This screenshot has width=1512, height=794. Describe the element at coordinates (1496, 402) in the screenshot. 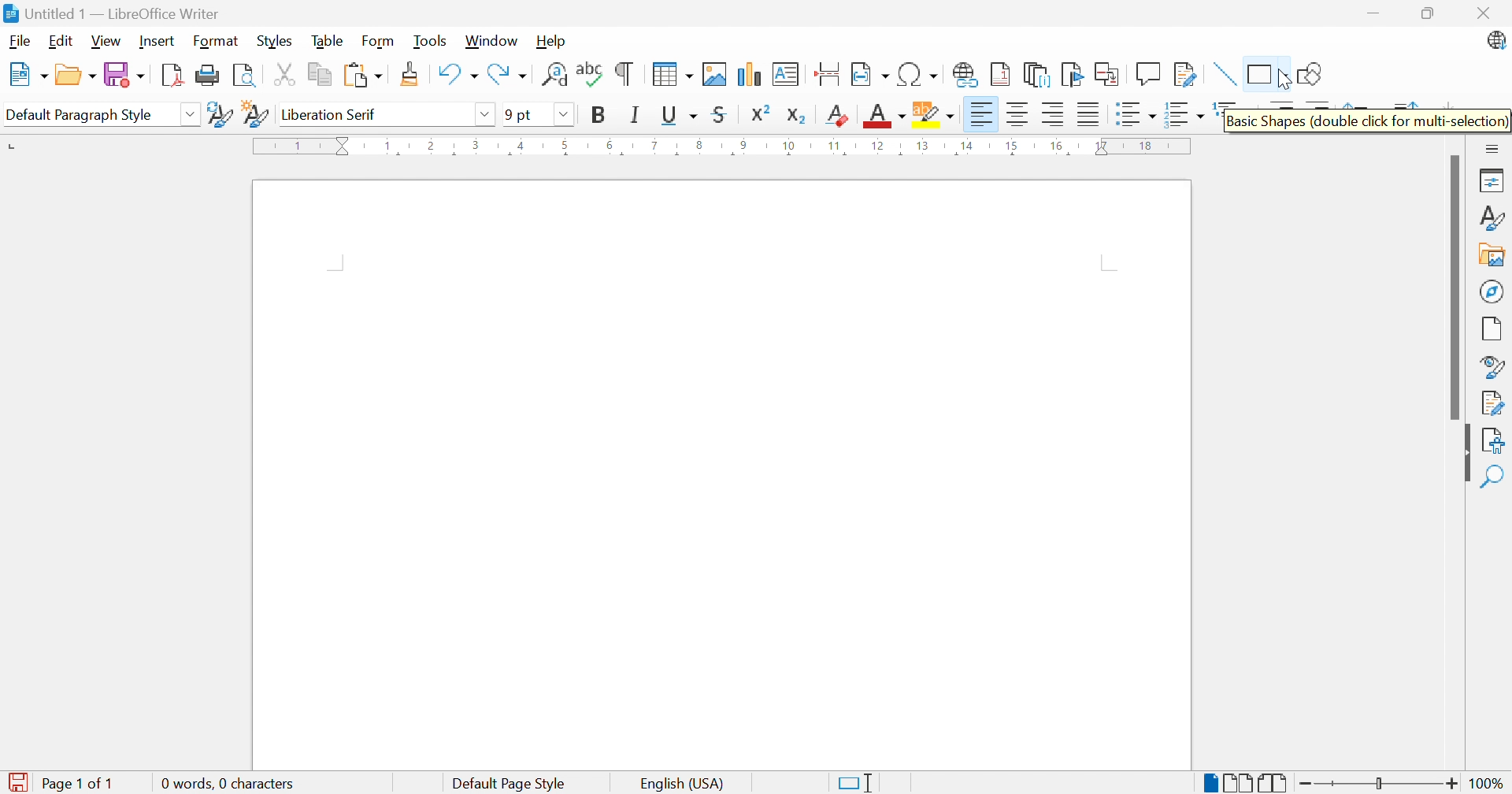

I see `Manage changes` at that location.